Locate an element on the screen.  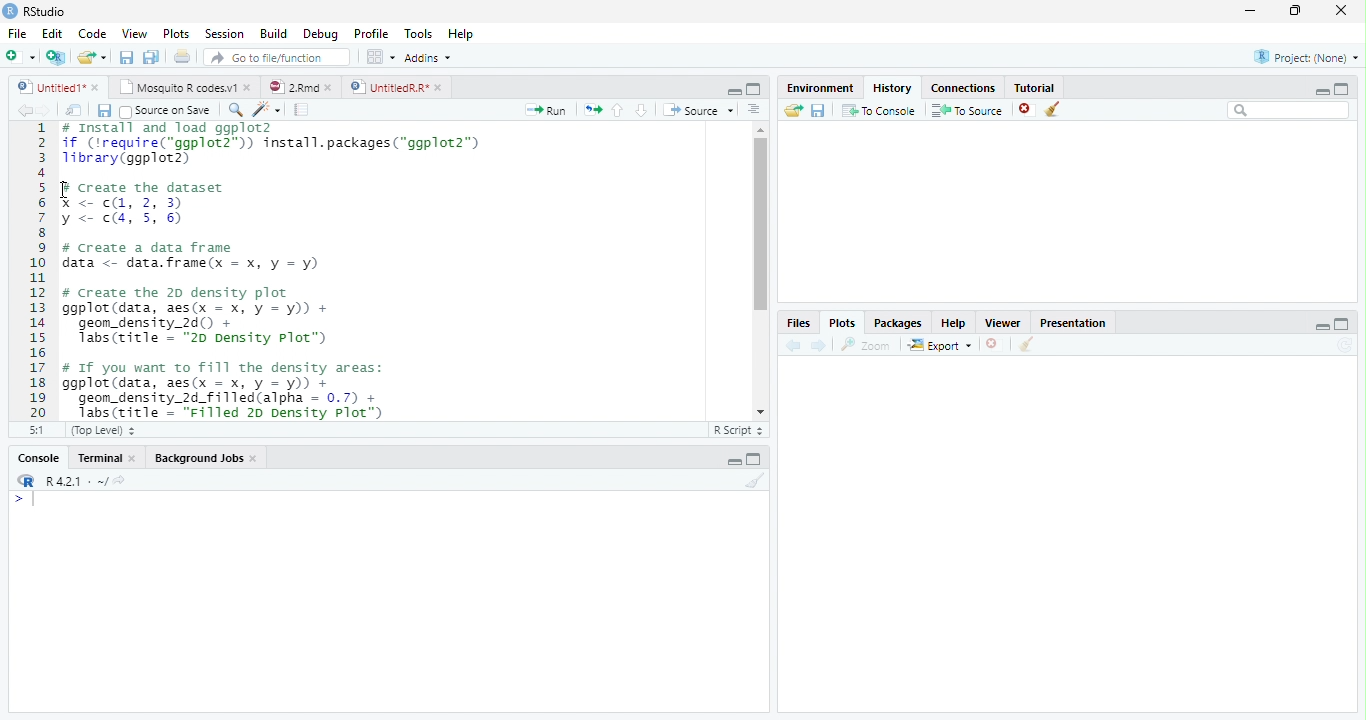
Source on Save is located at coordinates (163, 111).